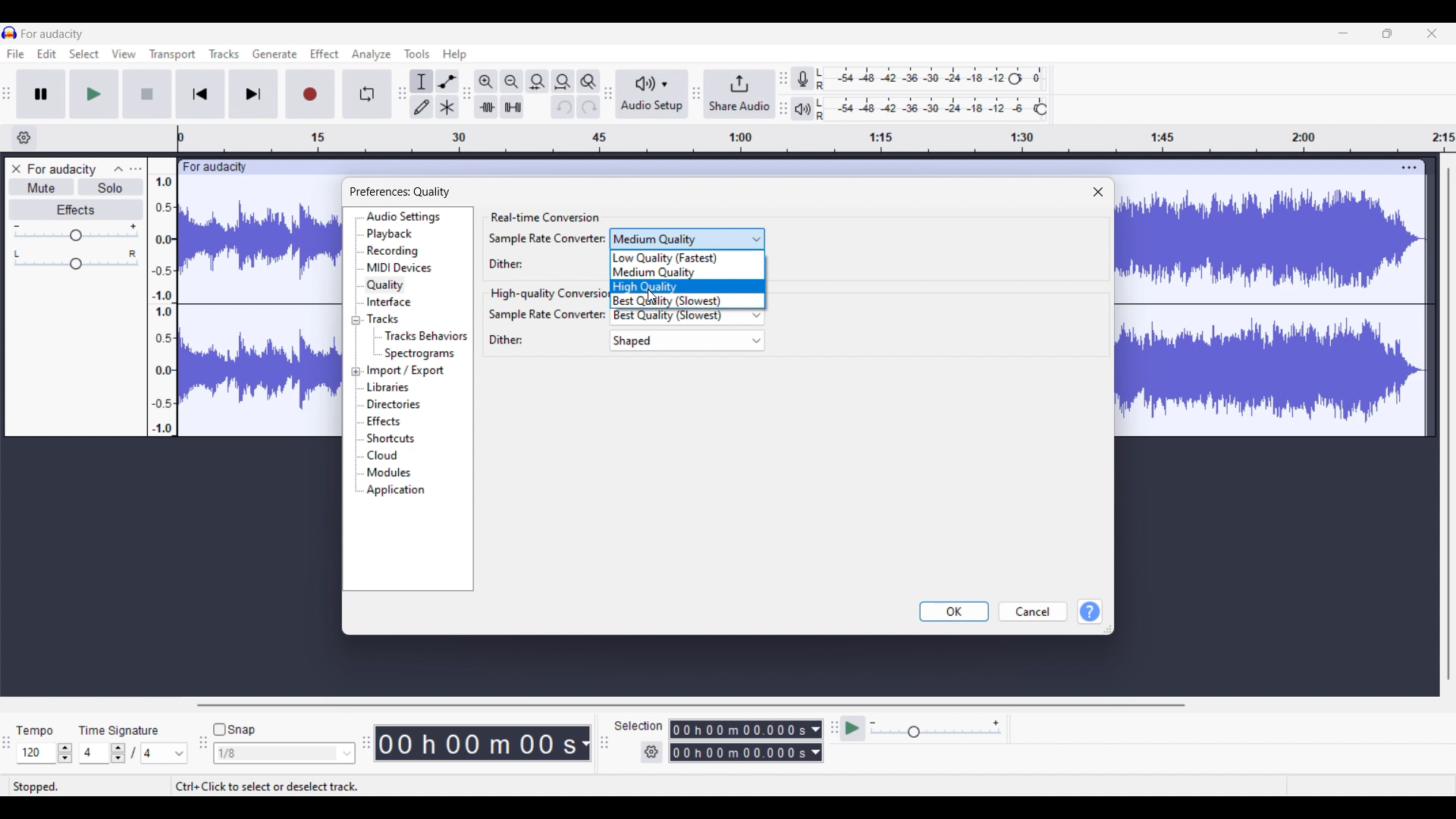  I want to click on Collapse, so click(118, 169).